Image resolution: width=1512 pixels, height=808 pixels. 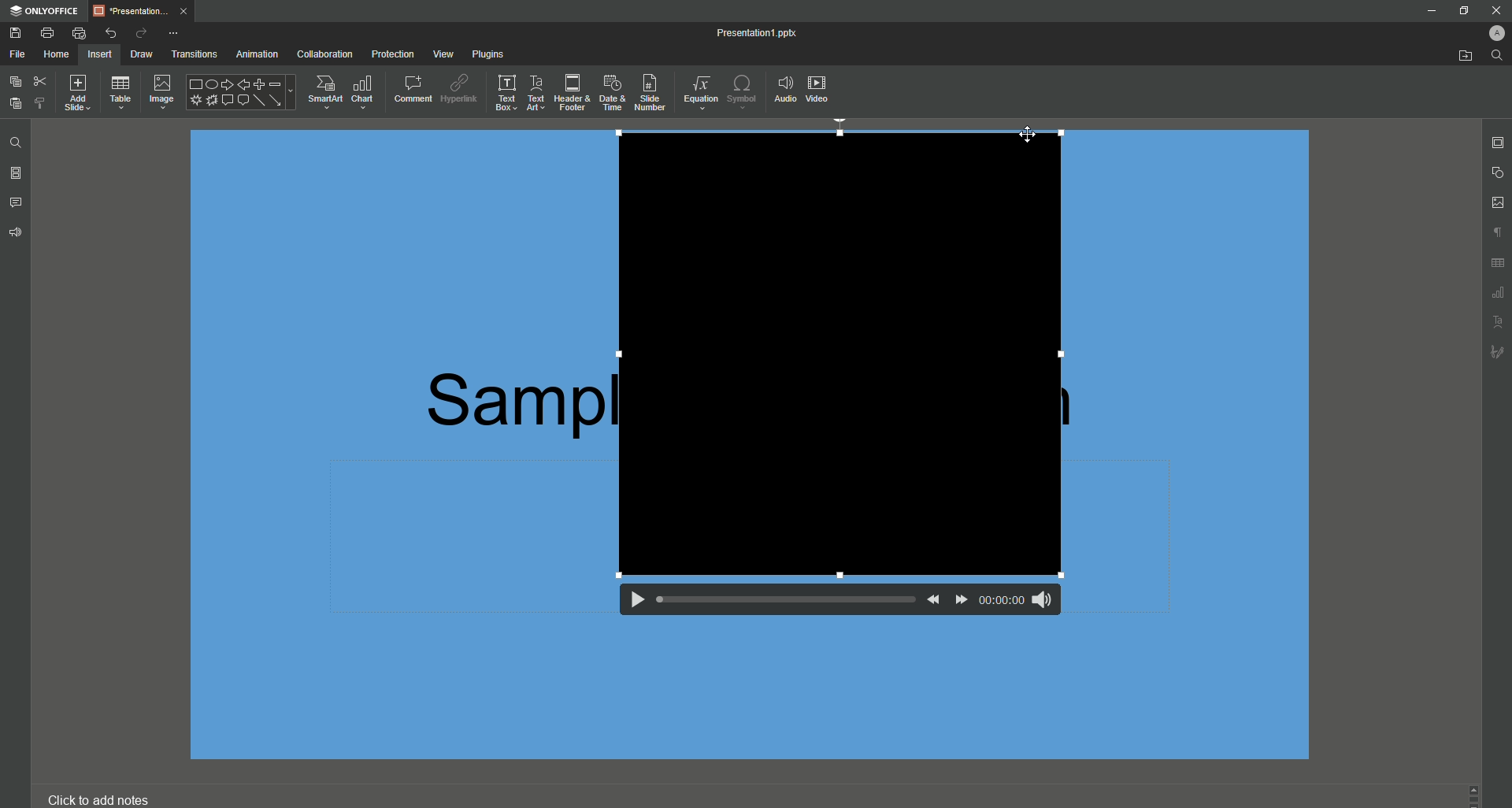 What do you see at coordinates (146, 9) in the screenshot?
I see `presentation...` at bounding box center [146, 9].